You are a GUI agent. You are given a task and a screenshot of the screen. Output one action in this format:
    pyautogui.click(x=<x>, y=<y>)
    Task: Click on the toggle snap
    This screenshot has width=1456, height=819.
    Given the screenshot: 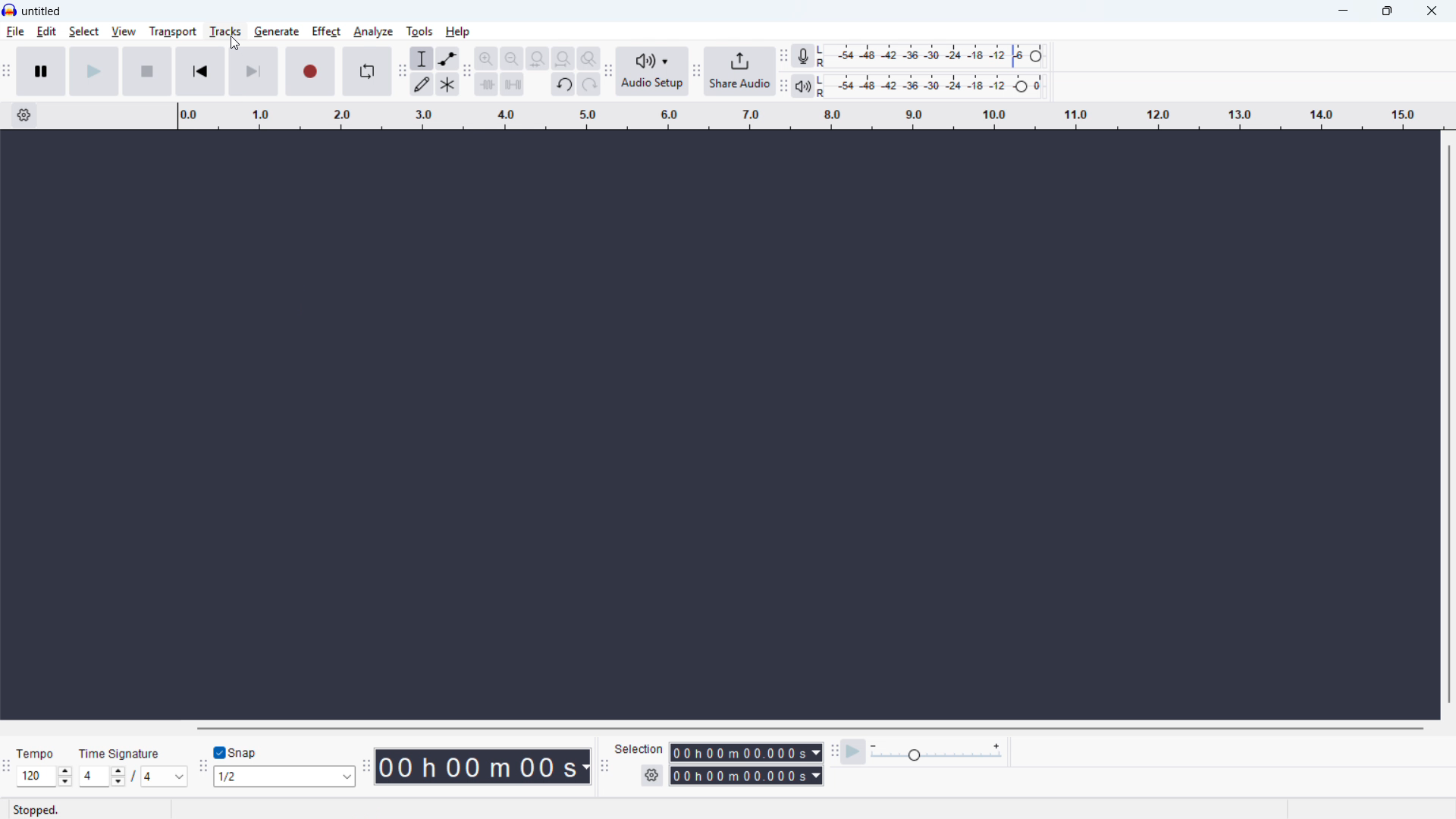 What is the action you would take?
    pyautogui.click(x=238, y=752)
    